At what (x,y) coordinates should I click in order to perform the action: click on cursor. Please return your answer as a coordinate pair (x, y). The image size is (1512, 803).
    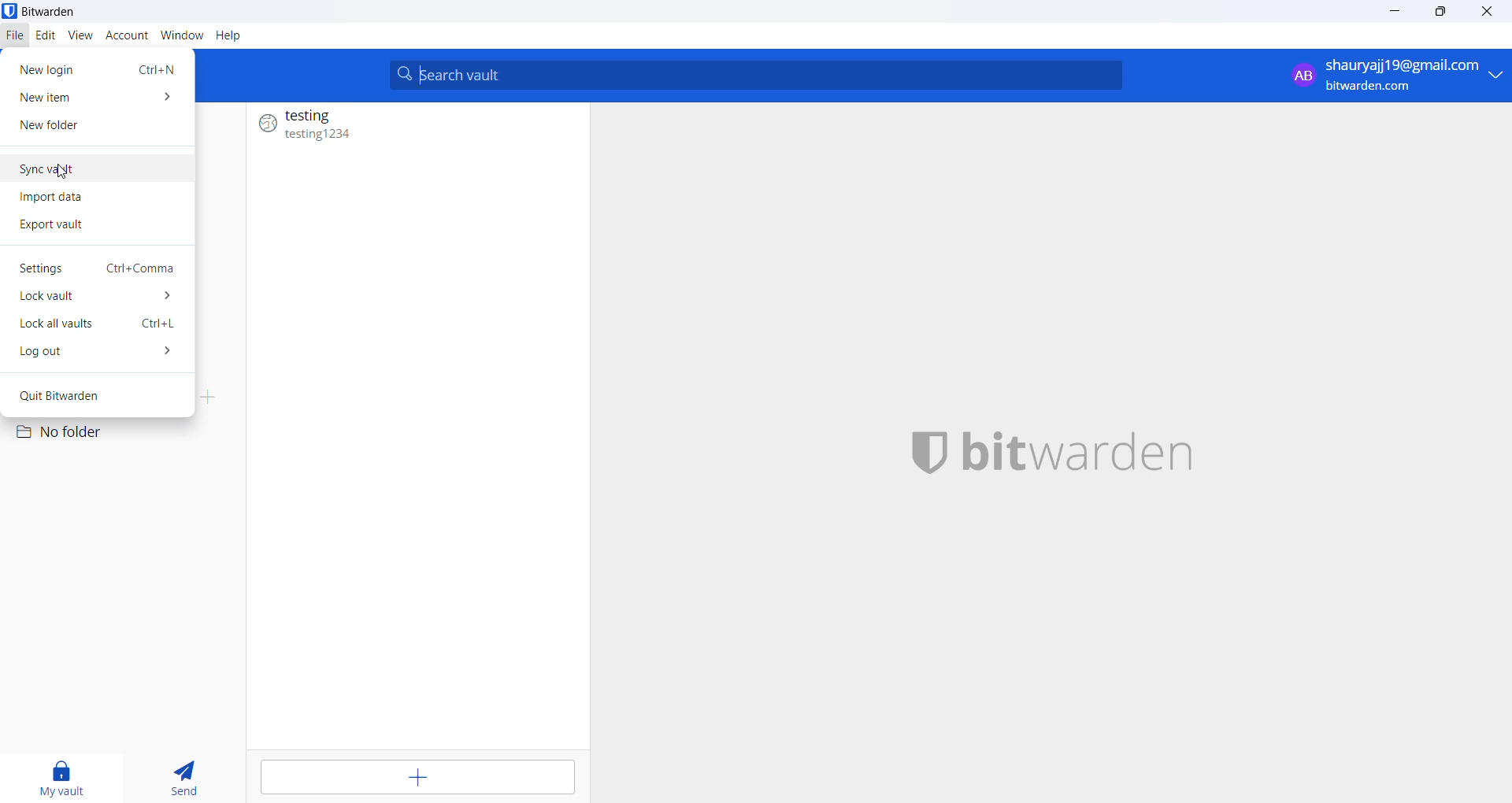
    Looking at the image, I should click on (1486, 13).